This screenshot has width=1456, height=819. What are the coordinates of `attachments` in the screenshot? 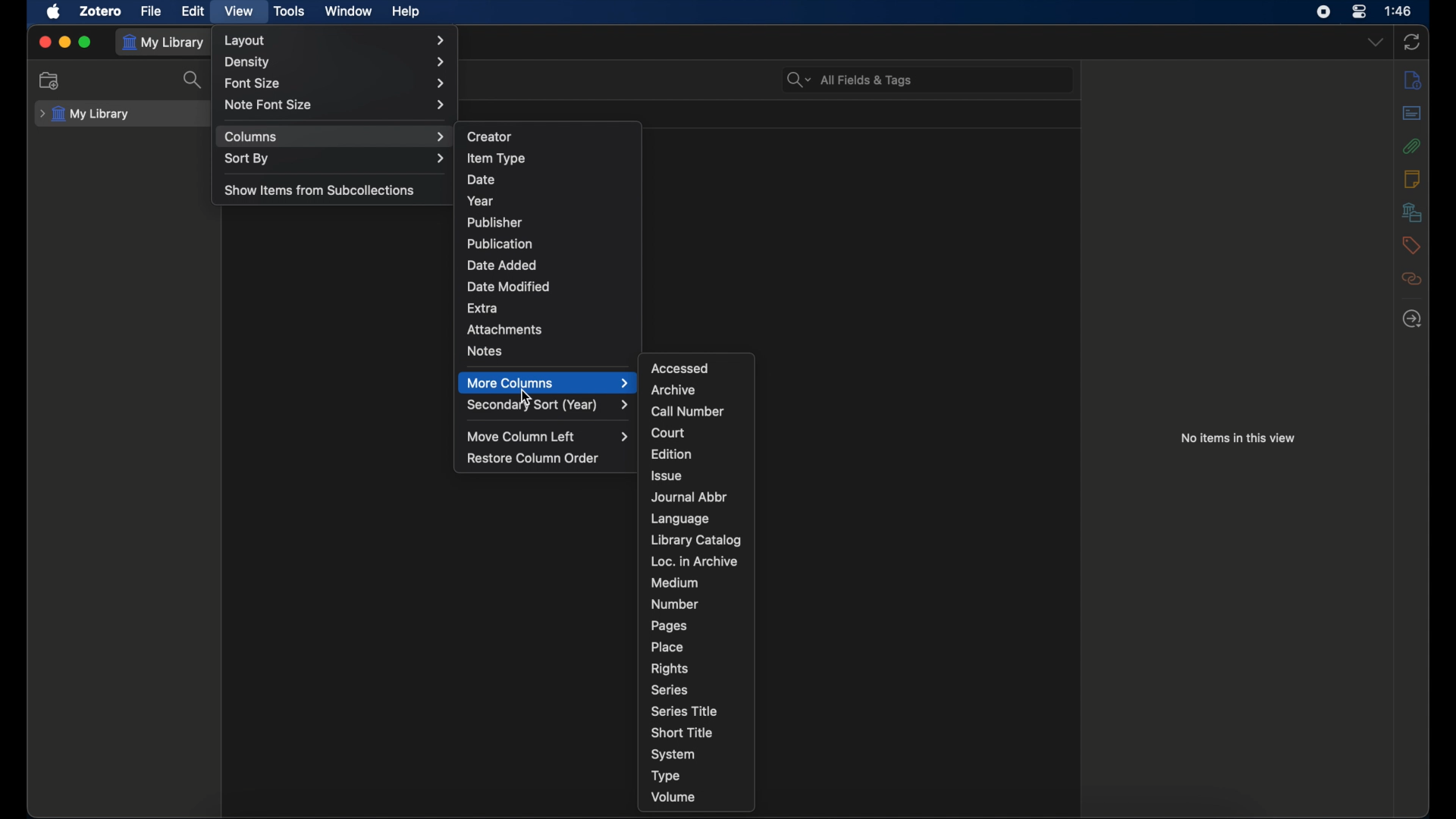 It's located at (1410, 146).